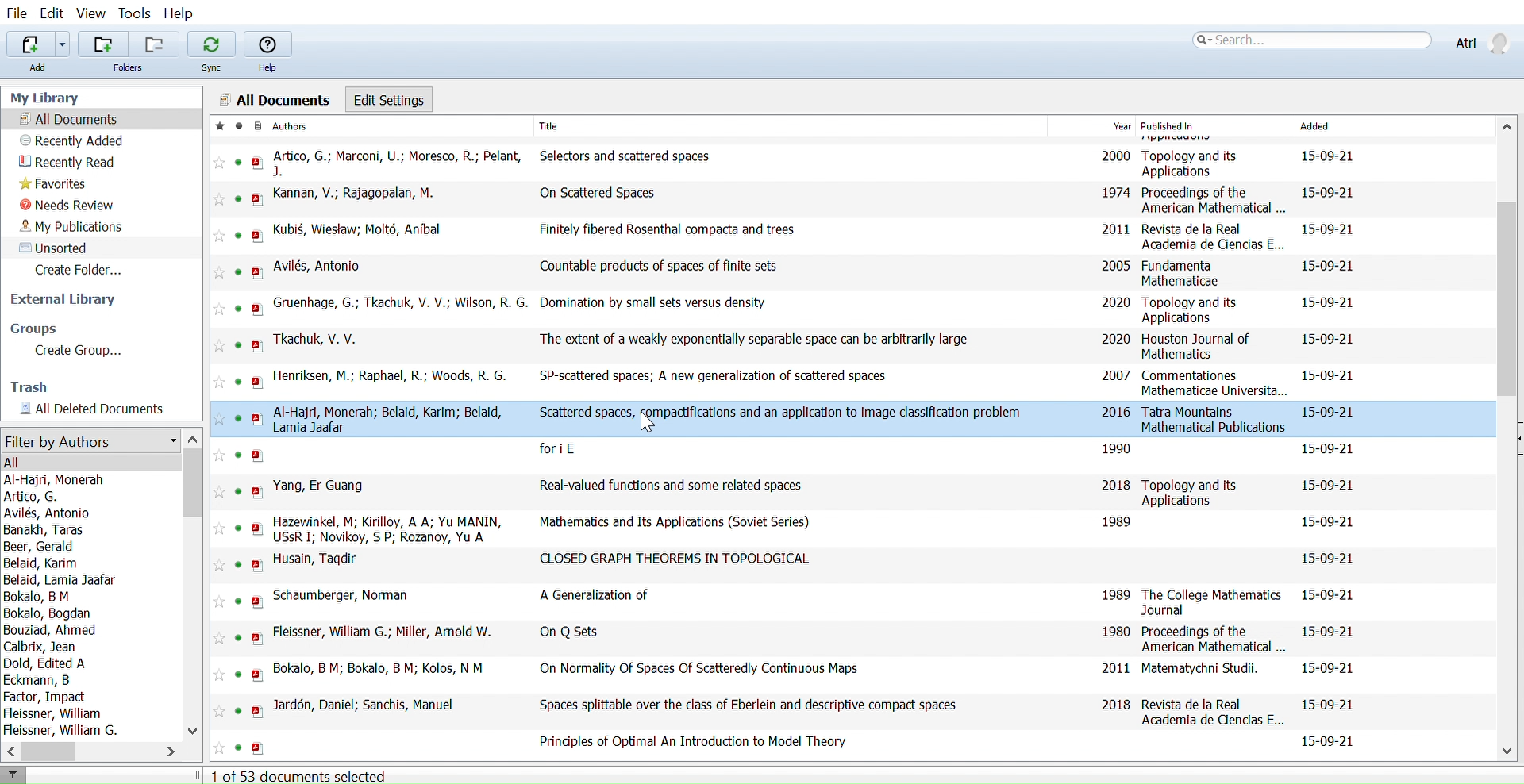 The image size is (1524, 784). What do you see at coordinates (257, 491) in the screenshot?
I see `PDF Document` at bounding box center [257, 491].